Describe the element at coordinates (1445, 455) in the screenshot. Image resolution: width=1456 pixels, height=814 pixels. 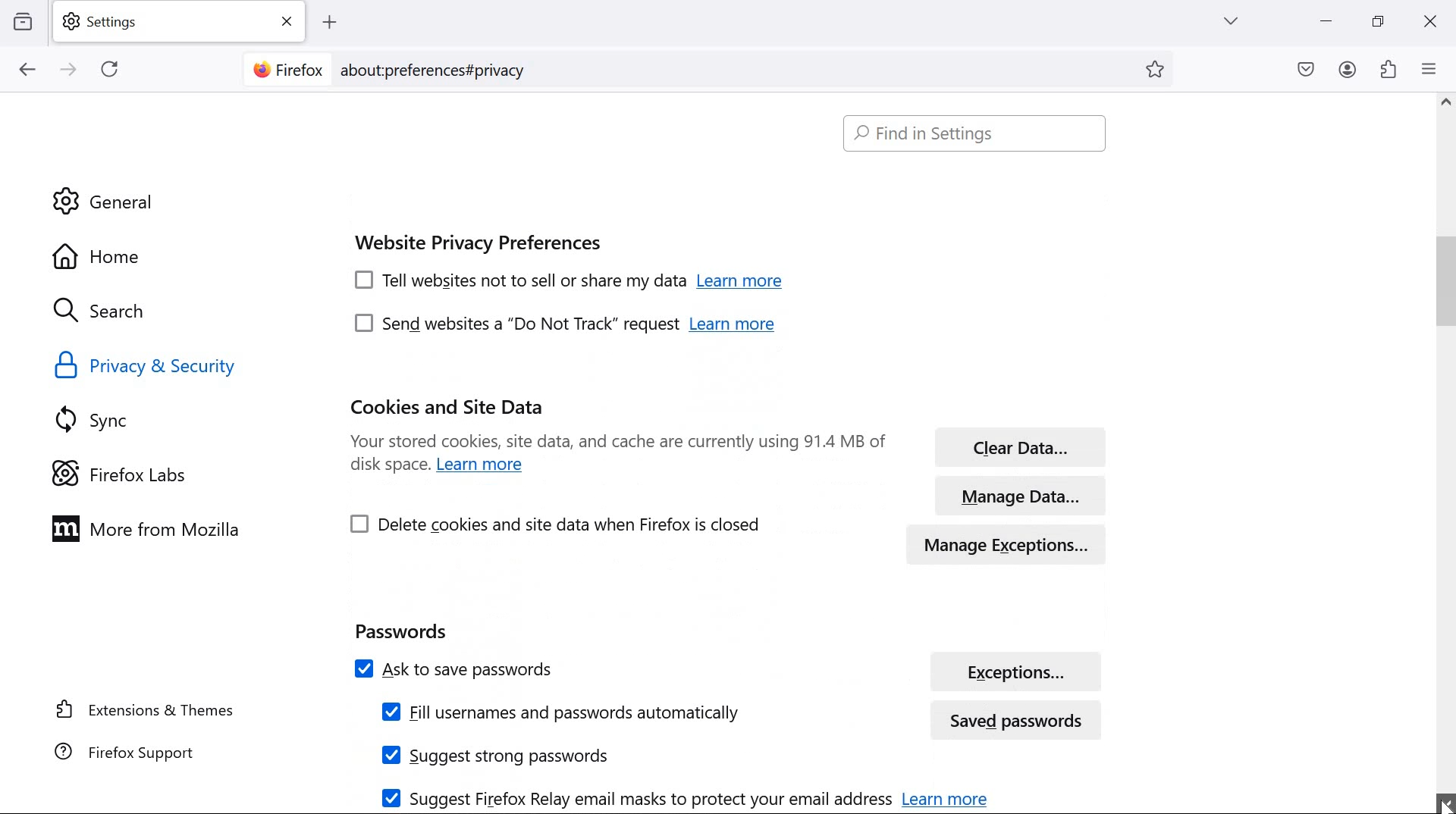
I see `scrollbar` at that location.